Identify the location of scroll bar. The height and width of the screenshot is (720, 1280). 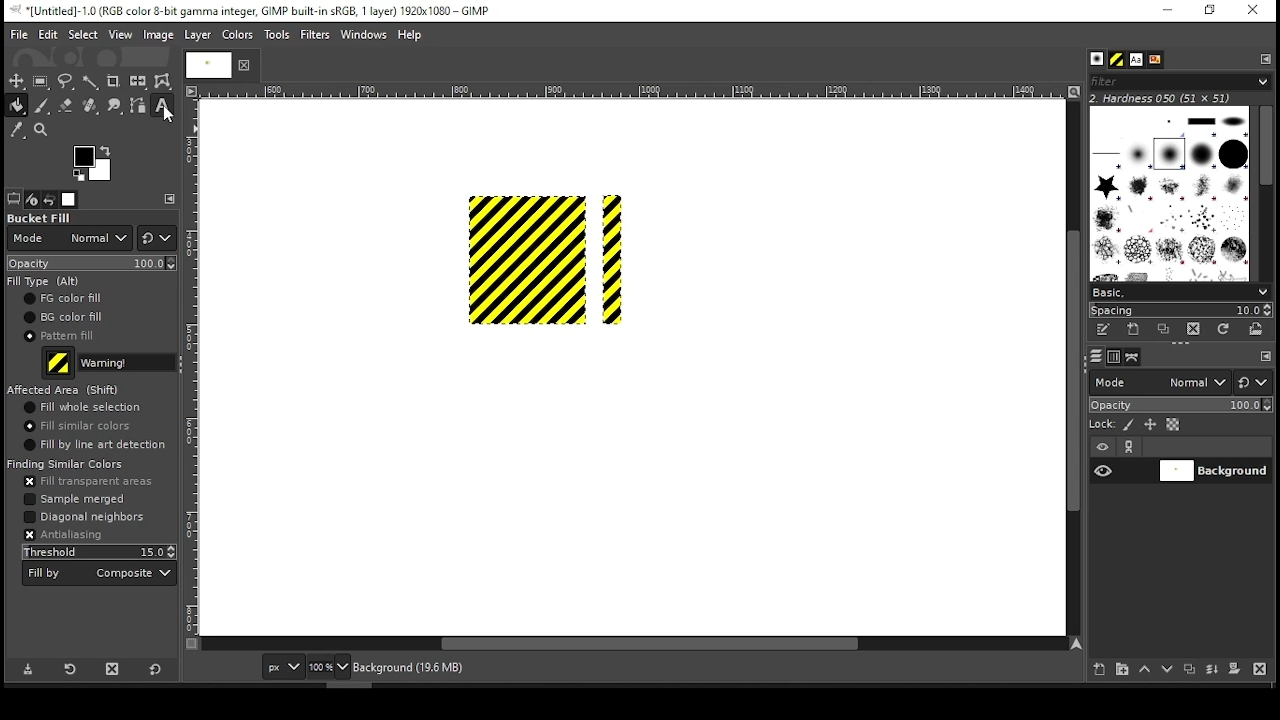
(1071, 367).